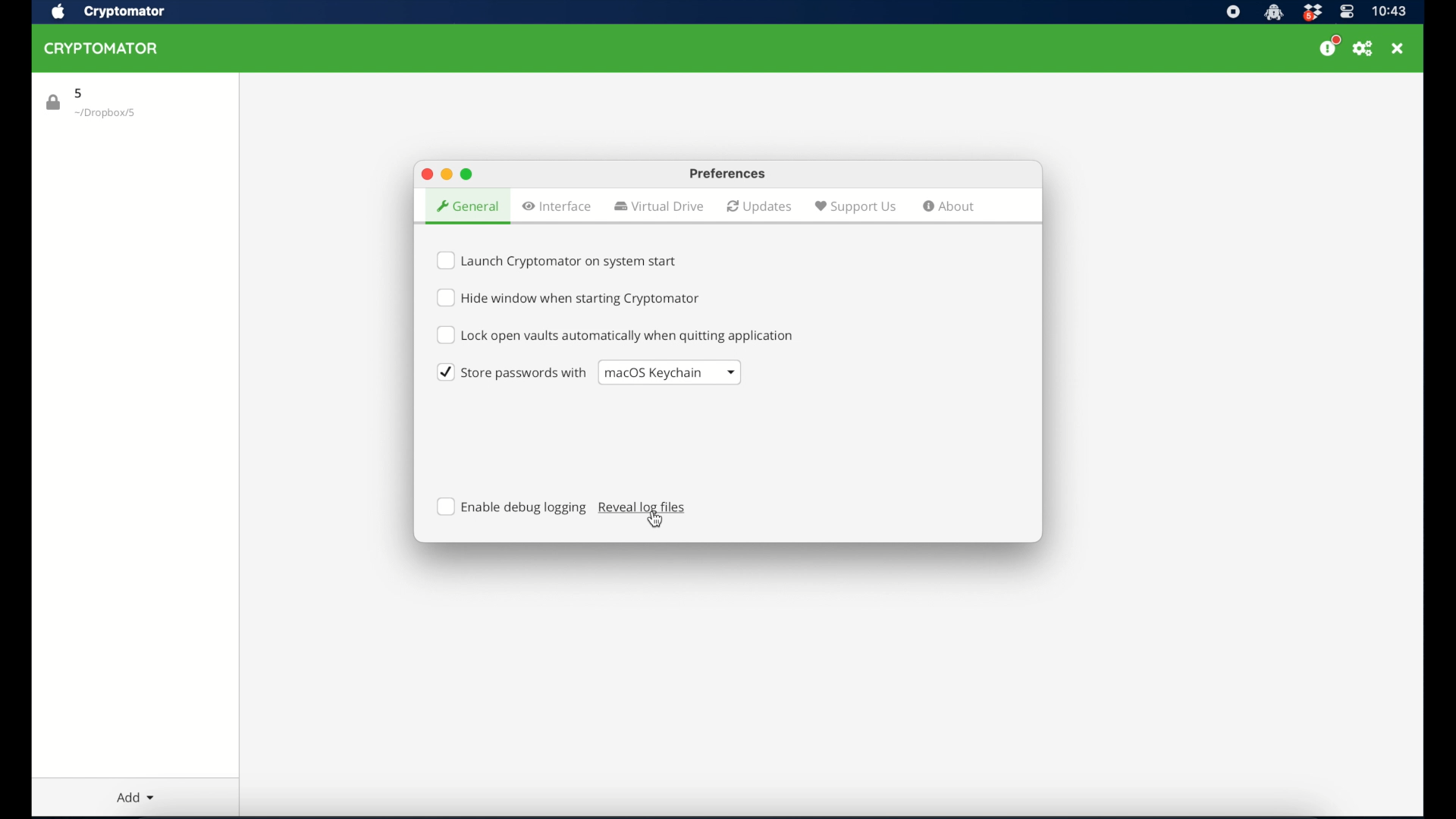 Image resolution: width=1456 pixels, height=819 pixels. I want to click on minimize, so click(447, 174).